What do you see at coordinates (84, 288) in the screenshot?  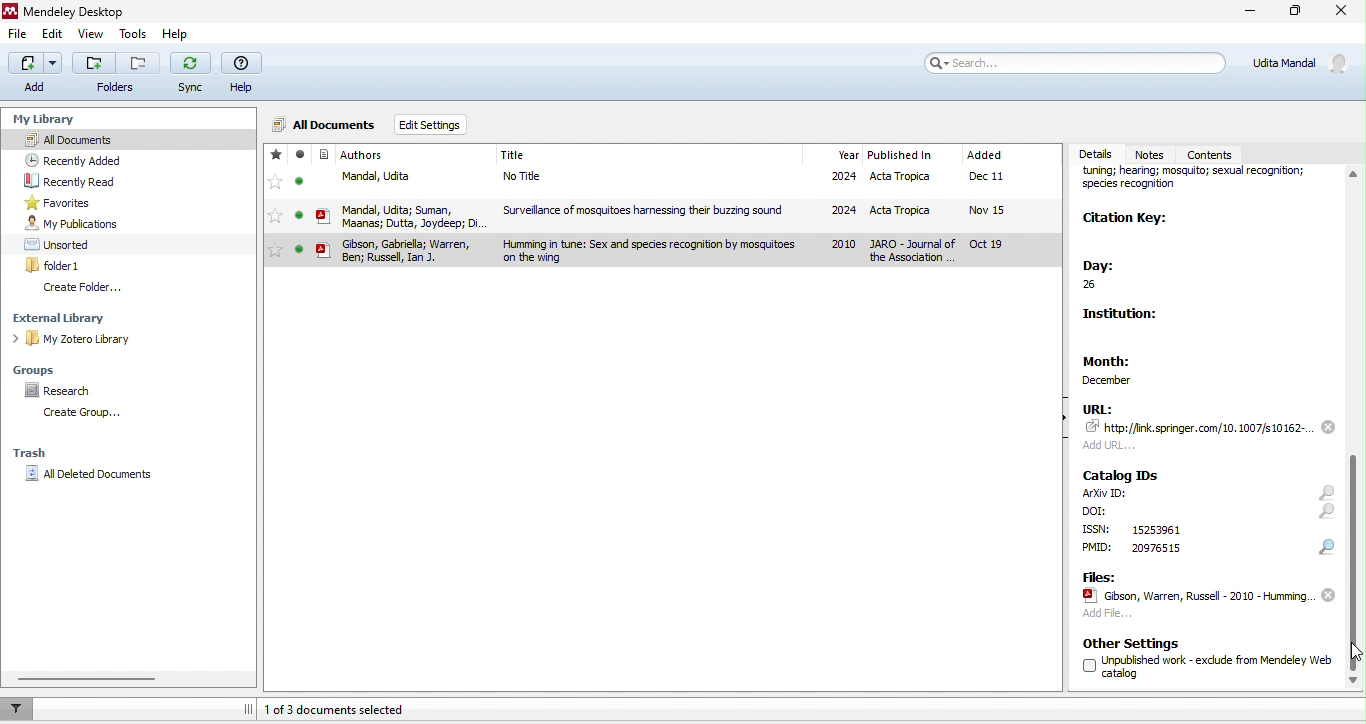 I see `create folder` at bounding box center [84, 288].